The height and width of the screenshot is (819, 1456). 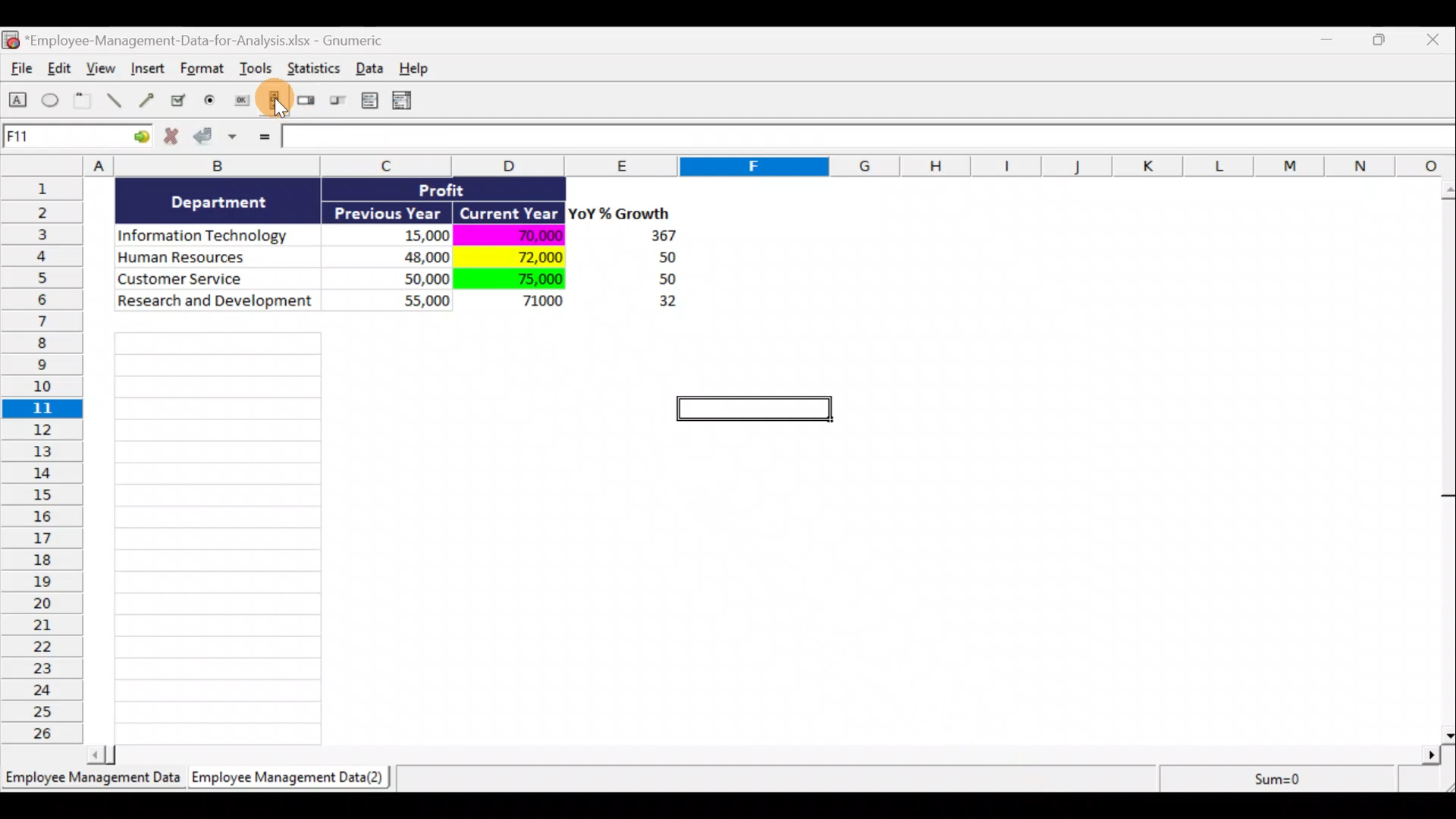 I want to click on Help, so click(x=422, y=68).